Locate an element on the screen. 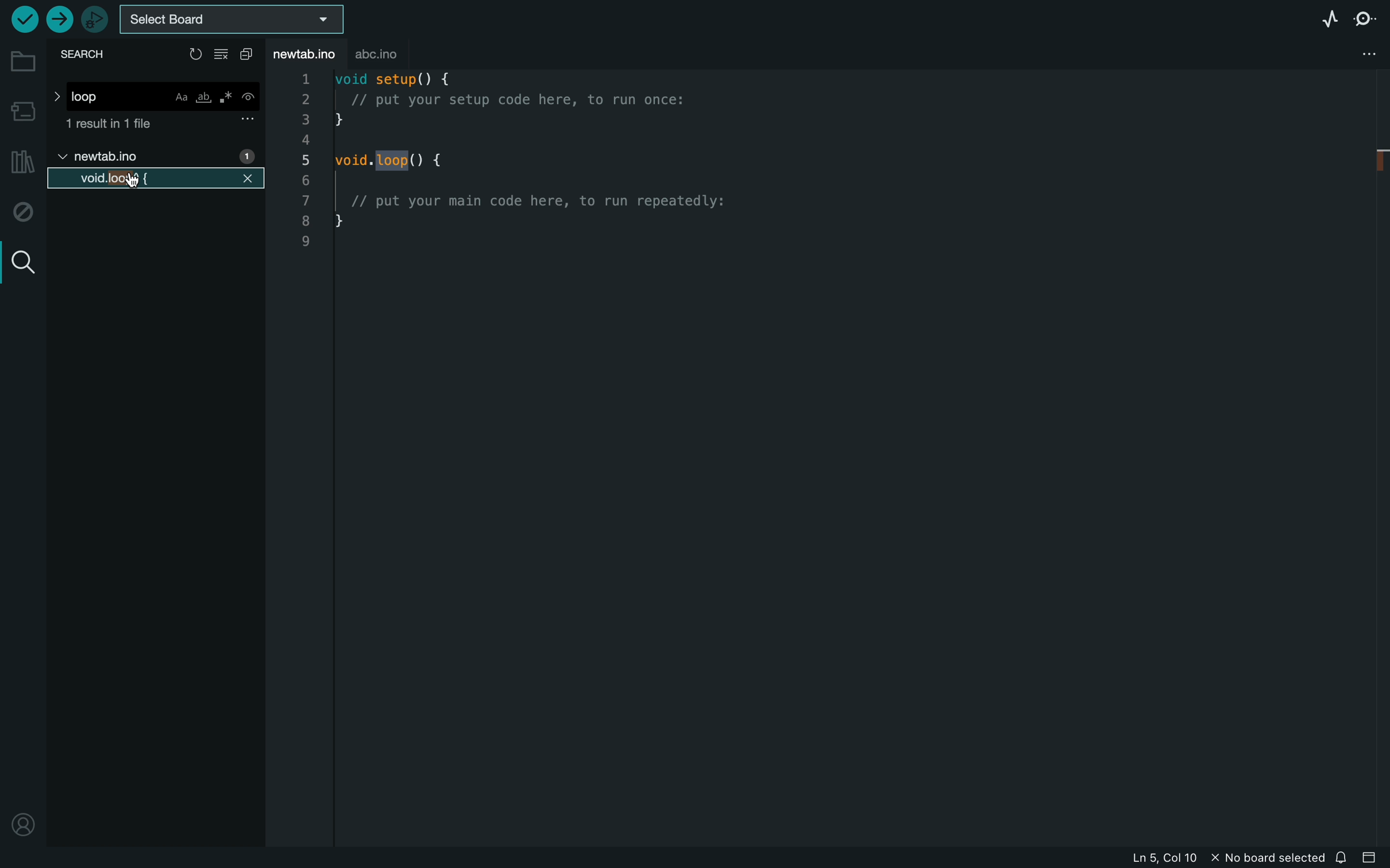 This screenshot has height=868, width=1390. notification is located at coordinates (1344, 858).